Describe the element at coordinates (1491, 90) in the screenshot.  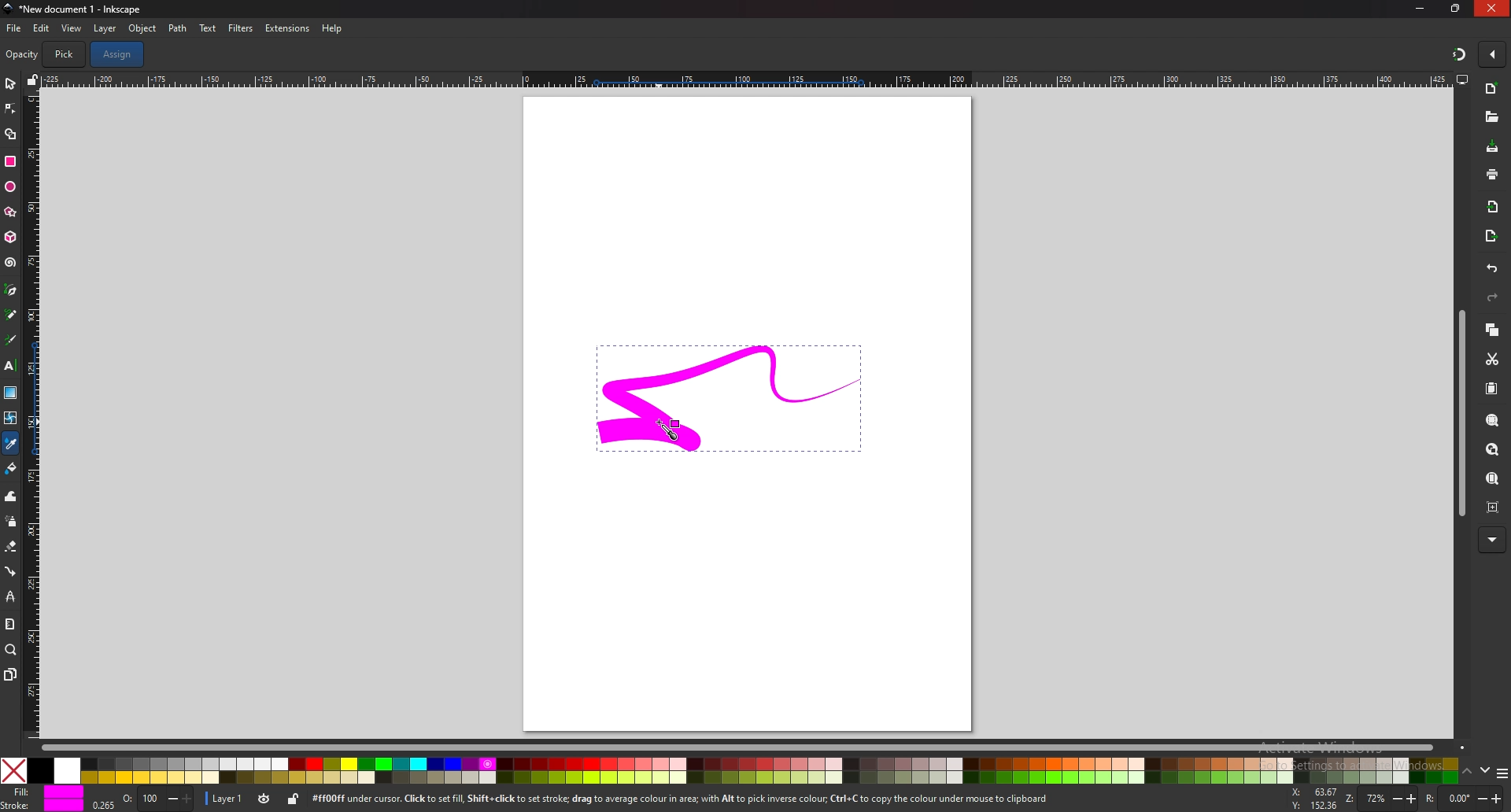
I see `new` at that location.